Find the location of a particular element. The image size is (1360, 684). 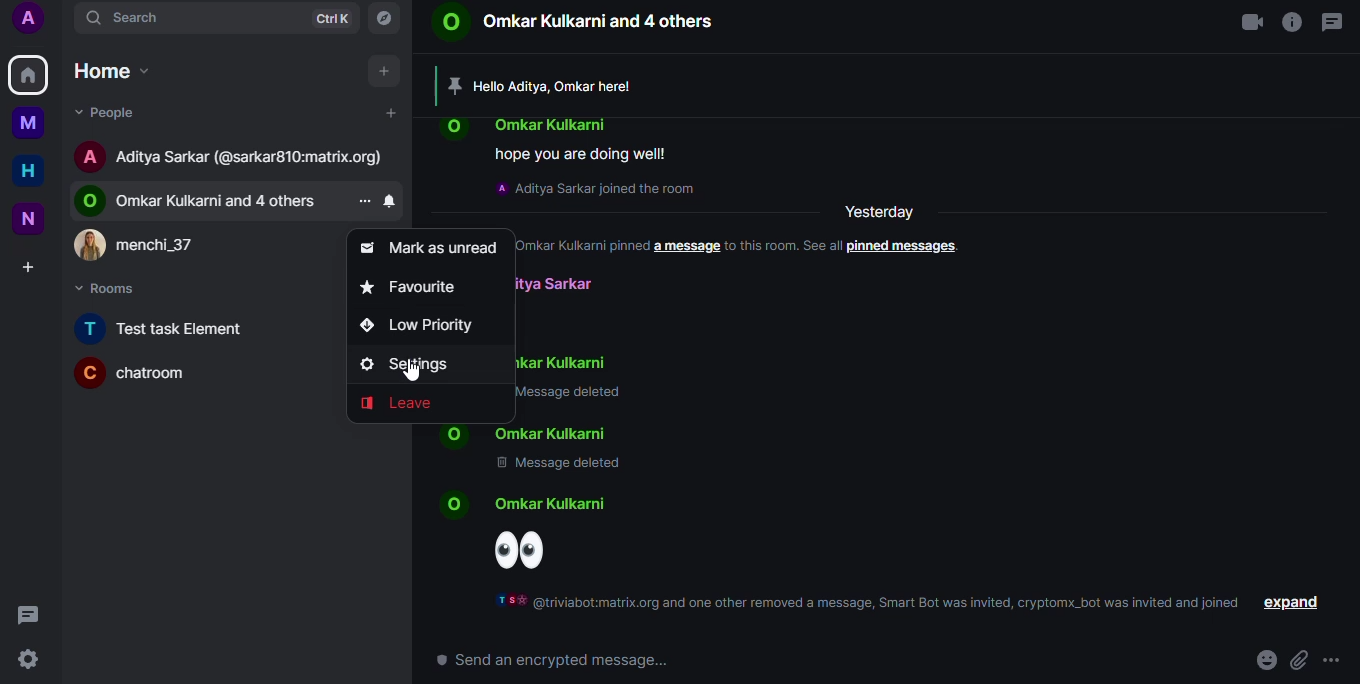

‘Omkar Kulkarni is located at coordinates (554, 122).